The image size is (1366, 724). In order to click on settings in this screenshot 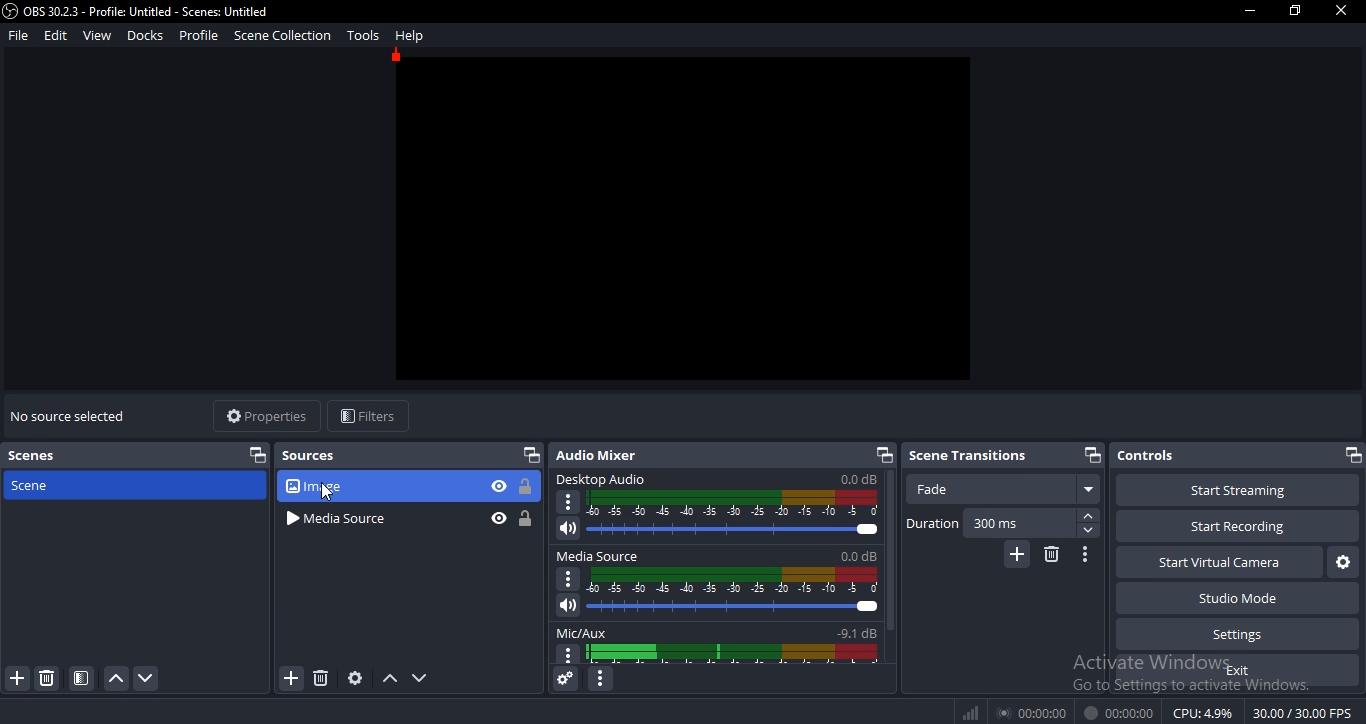, I will do `click(1231, 635)`.